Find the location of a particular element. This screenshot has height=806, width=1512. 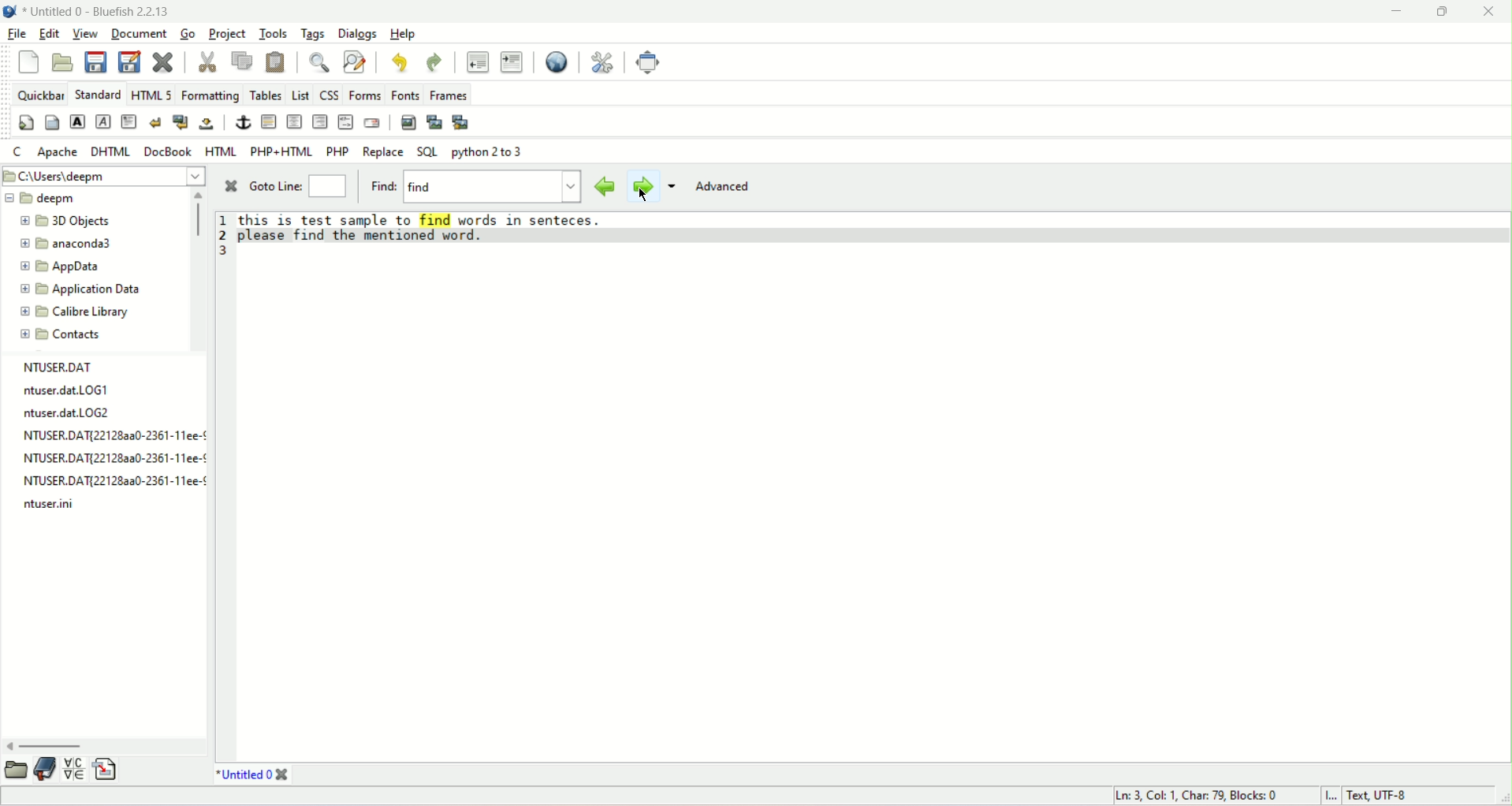

go is located at coordinates (187, 31).